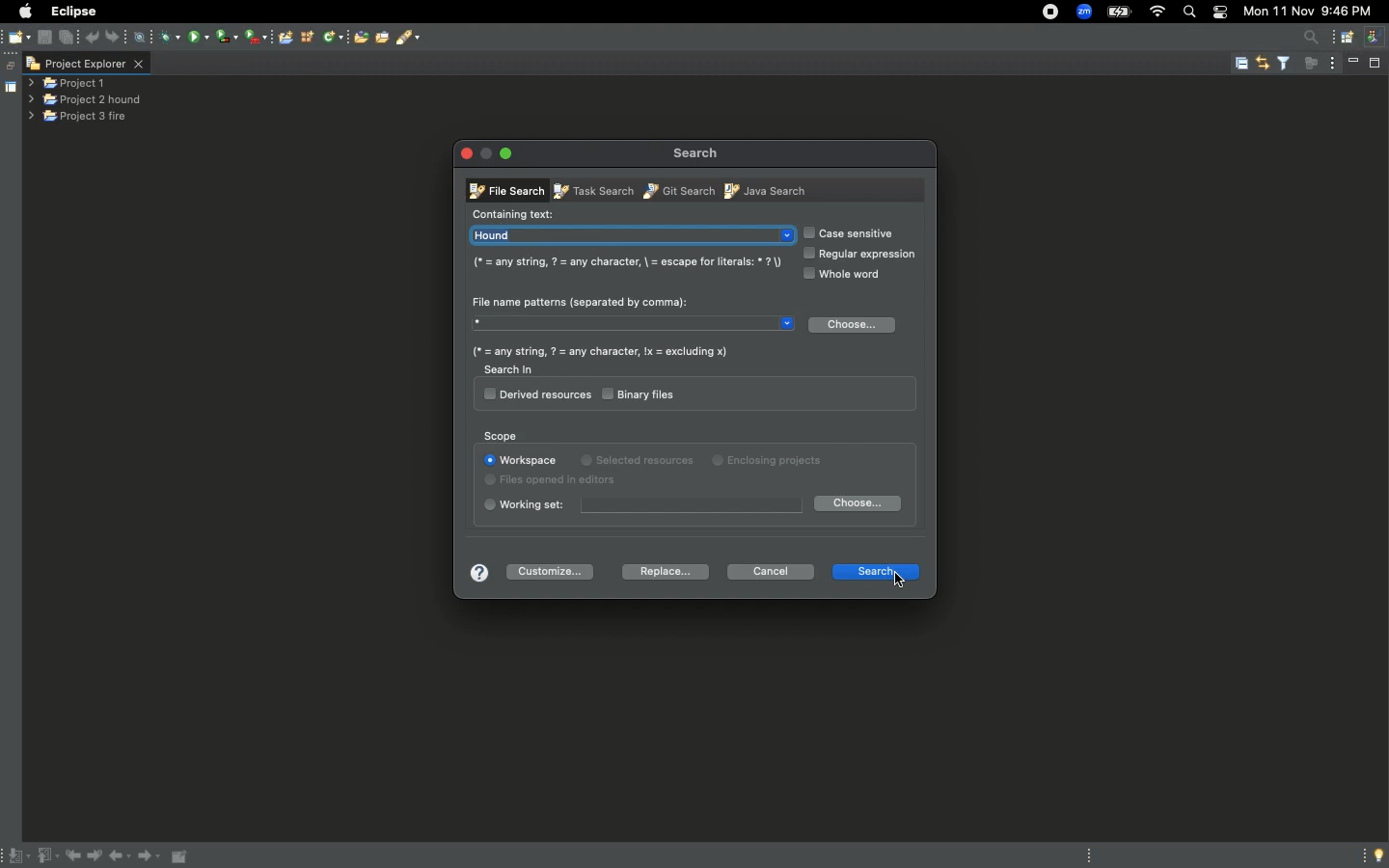 This screenshot has width=1389, height=868. Describe the element at coordinates (1286, 66) in the screenshot. I see `filter` at that location.